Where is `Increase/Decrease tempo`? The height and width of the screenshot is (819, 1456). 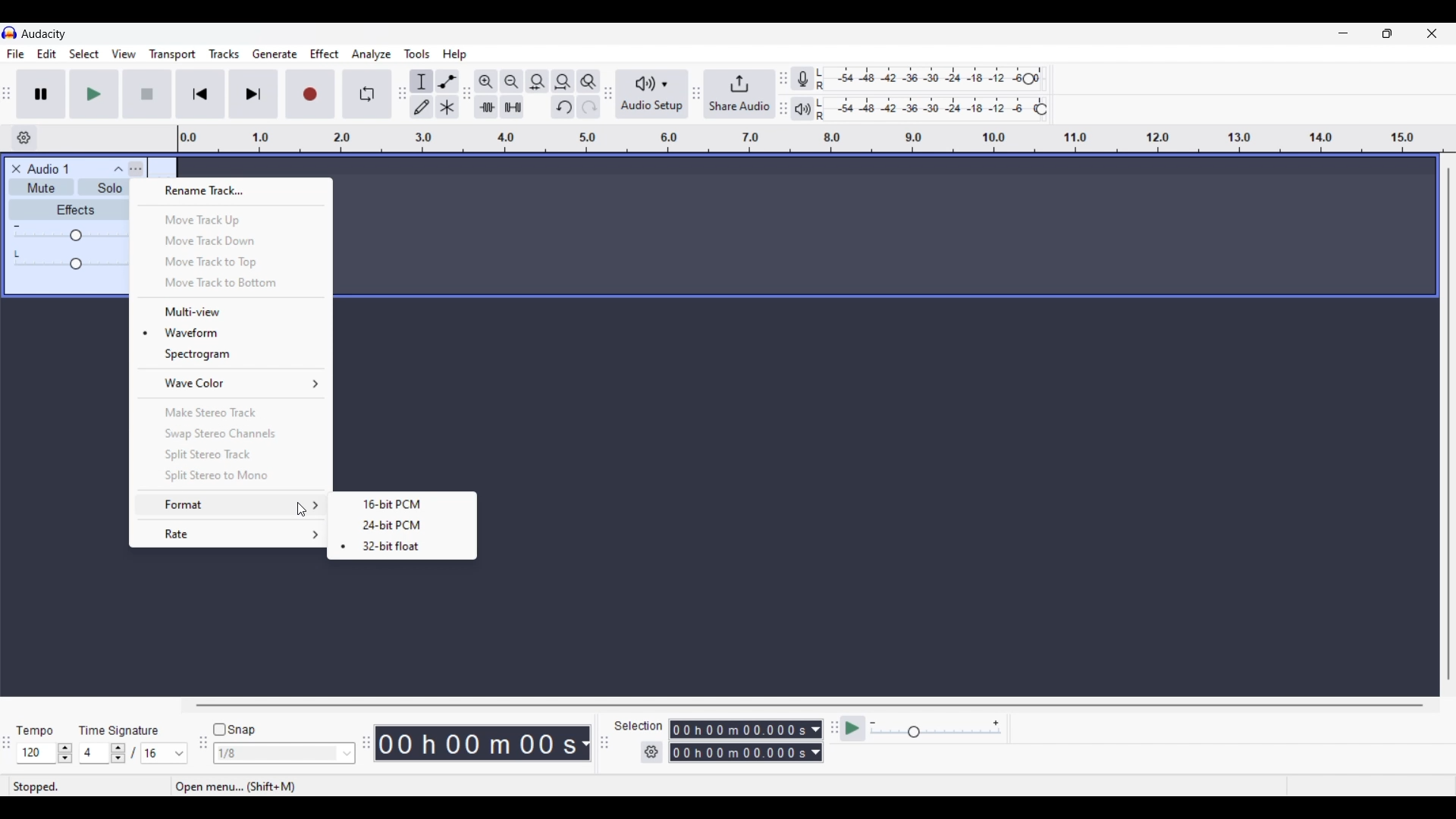 Increase/Decrease tempo is located at coordinates (65, 753).